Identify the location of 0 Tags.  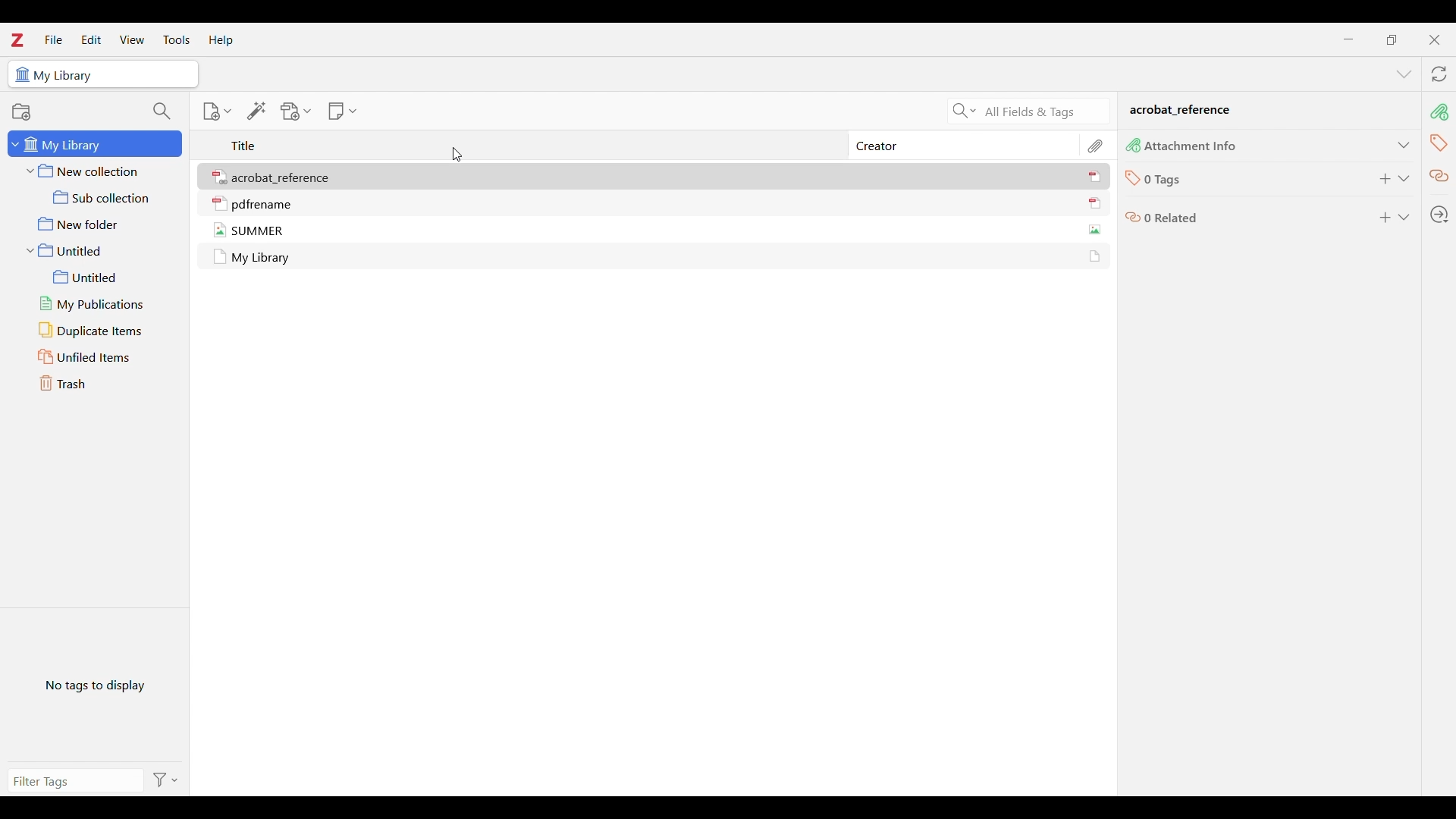
(1164, 180).